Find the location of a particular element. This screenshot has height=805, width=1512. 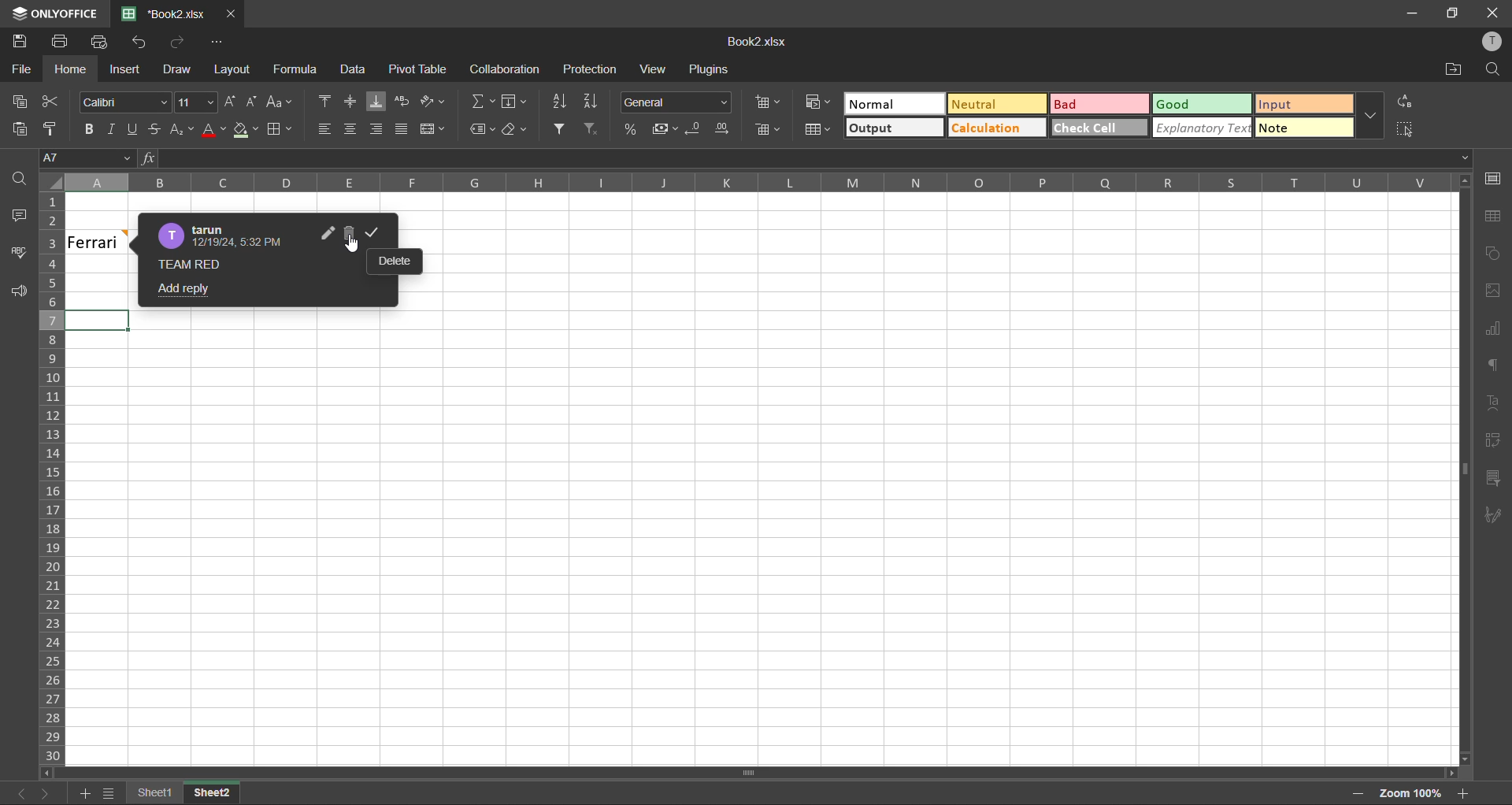

column names is located at coordinates (759, 184).